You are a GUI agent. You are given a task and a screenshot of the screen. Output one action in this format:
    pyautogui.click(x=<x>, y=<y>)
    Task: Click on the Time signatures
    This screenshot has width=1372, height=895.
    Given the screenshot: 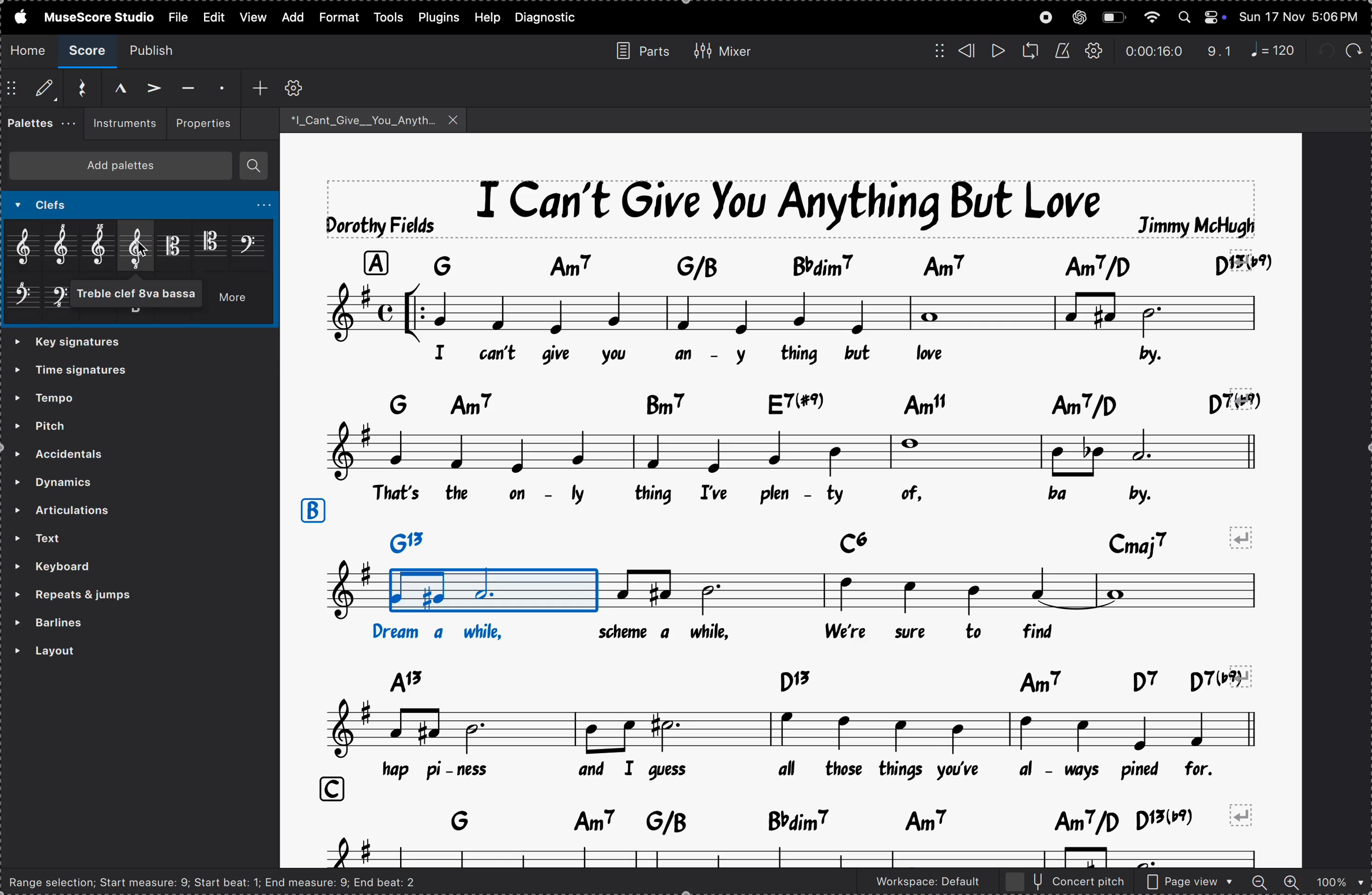 What is the action you would take?
    pyautogui.click(x=79, y=373)
    